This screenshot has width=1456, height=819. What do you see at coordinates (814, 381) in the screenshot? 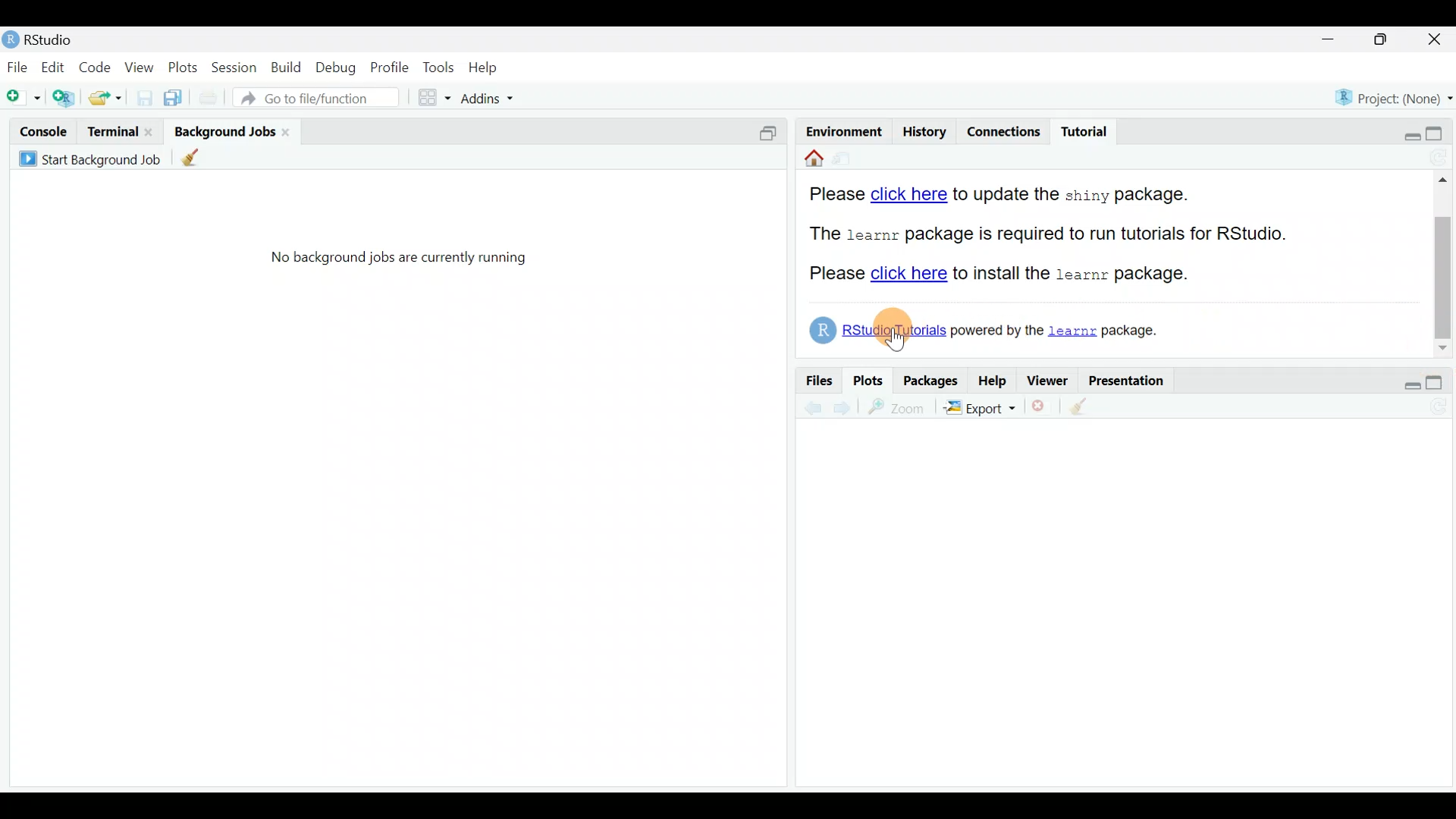
I see `Files` at bounding box center [814, 381].